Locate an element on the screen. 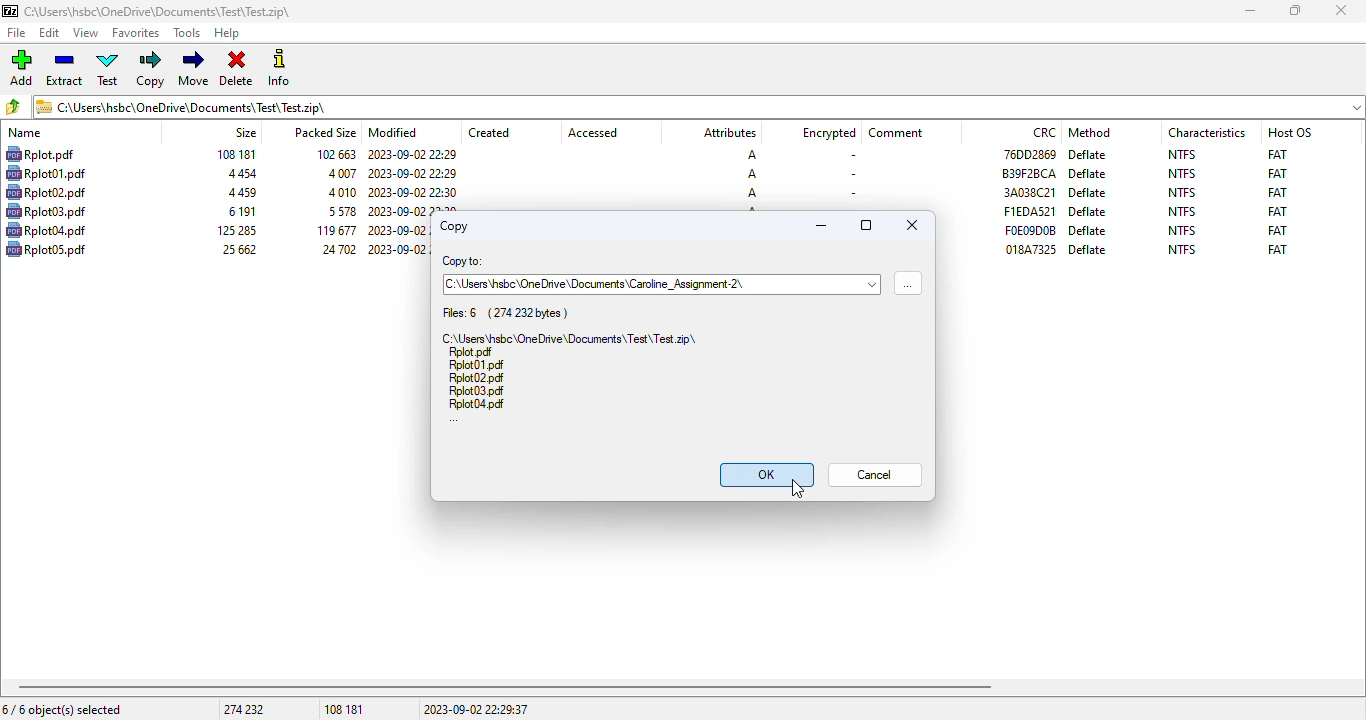 This screenshot has width=1366, height=720. .zip archive file is located at coordinates (569, 337).